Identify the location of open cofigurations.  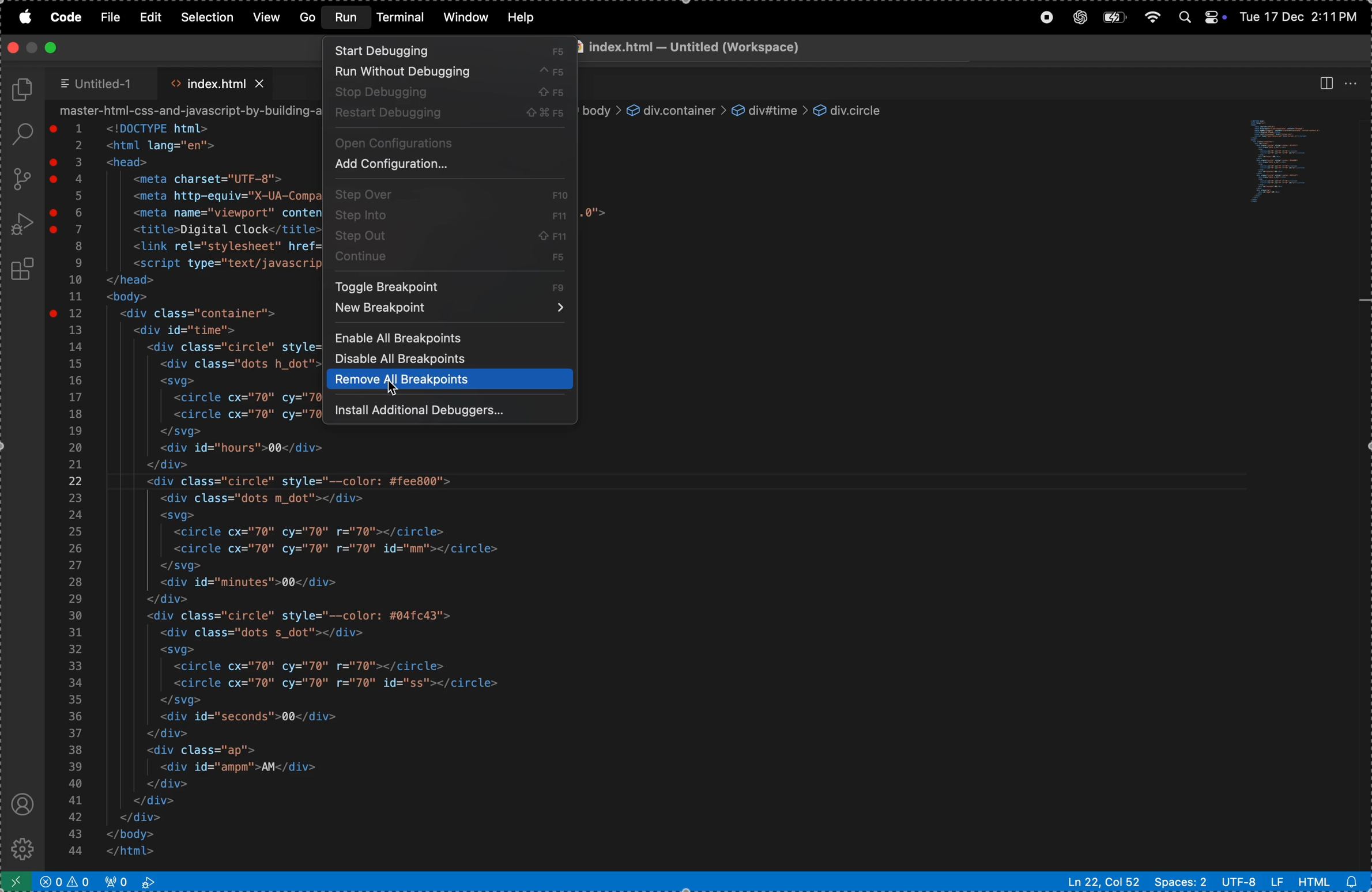
(450, 142).